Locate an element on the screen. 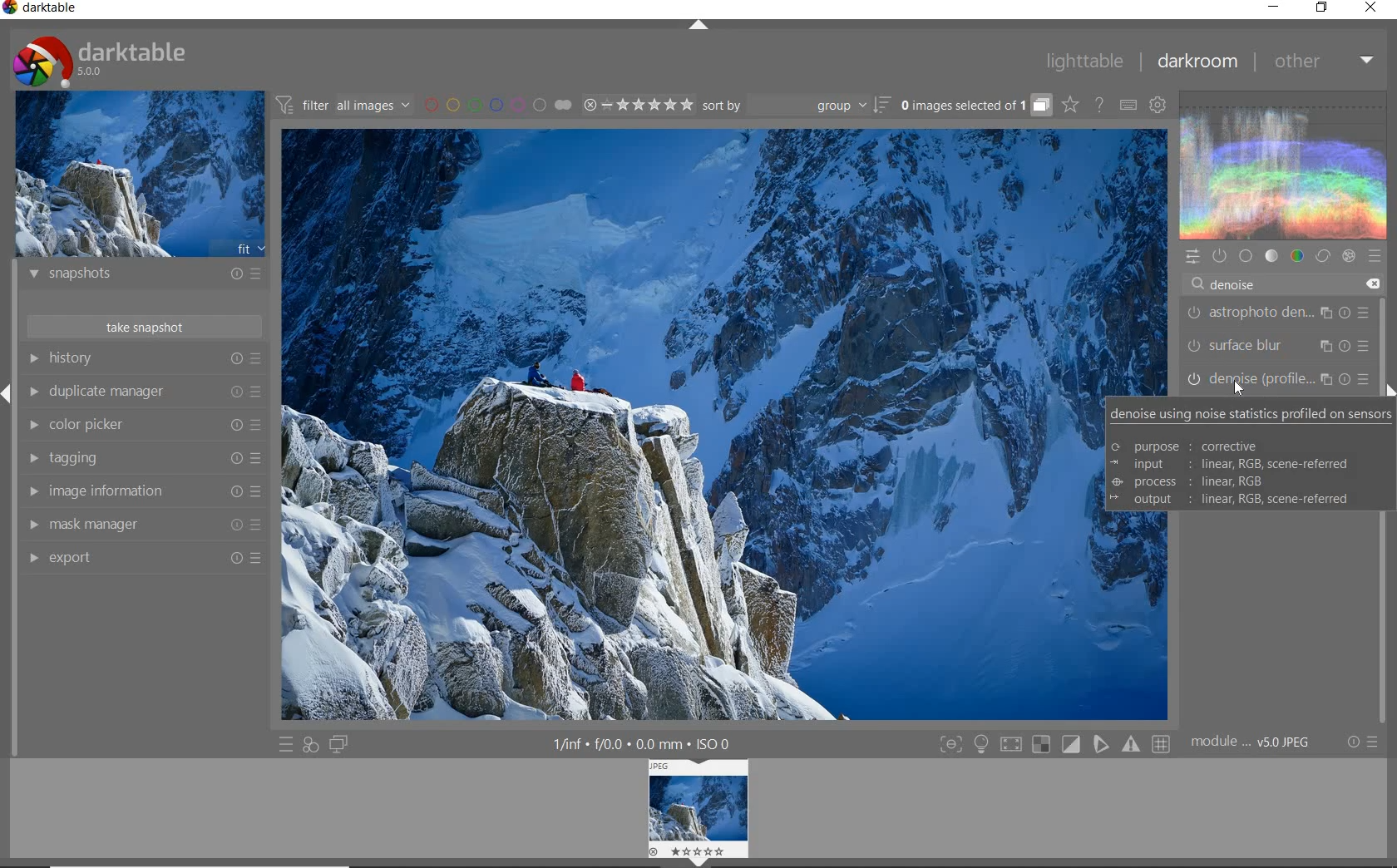 Image resolution: width=1397 pixels, height=868 pixels. display a second darkroom image window is located at coordinates (338, 745).